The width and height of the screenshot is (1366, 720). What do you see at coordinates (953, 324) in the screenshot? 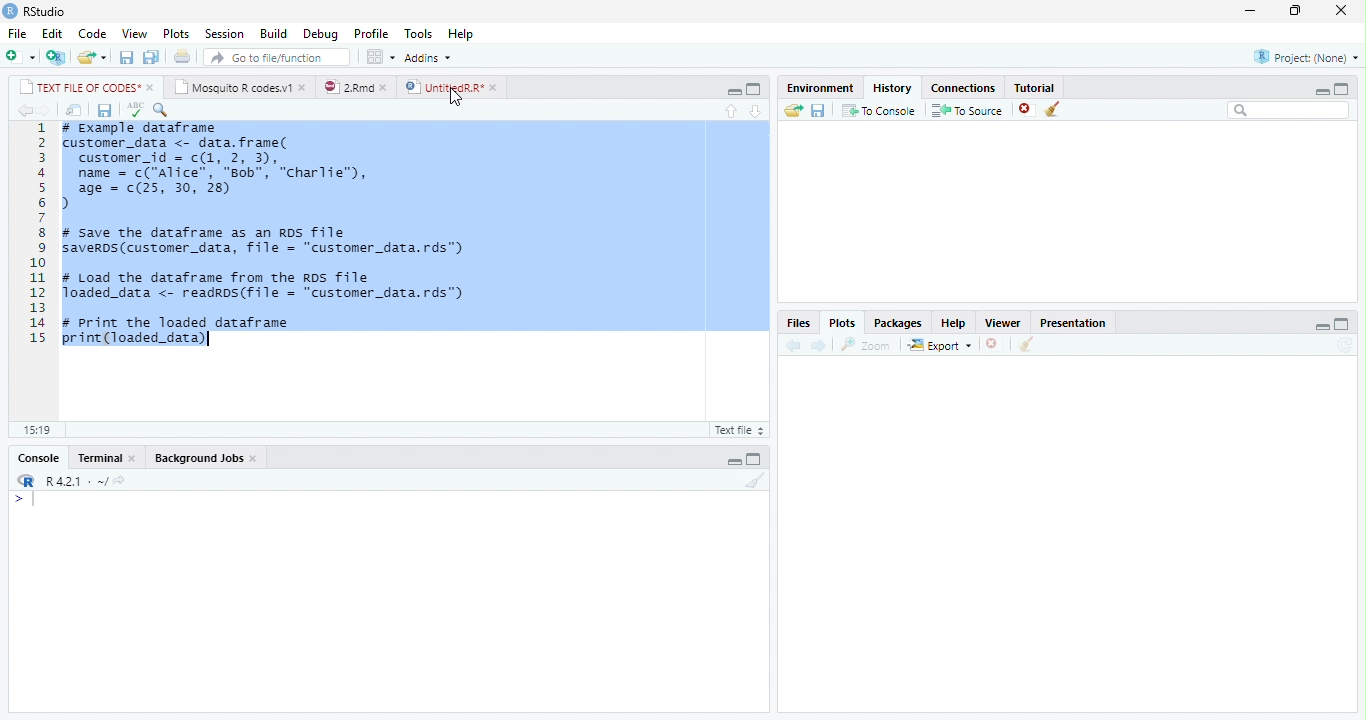
I see `Help` at bounding box center [953, 324].